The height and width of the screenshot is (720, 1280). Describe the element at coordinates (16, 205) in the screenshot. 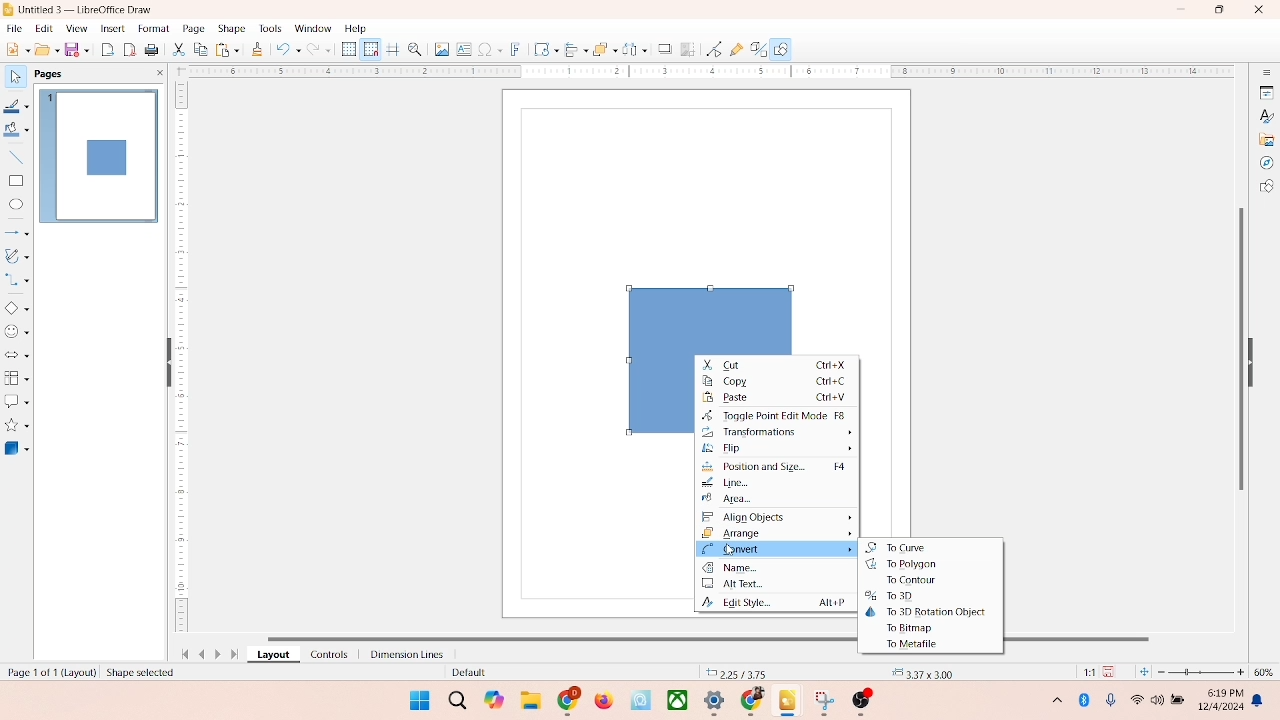

I see `ellipse` at that location.